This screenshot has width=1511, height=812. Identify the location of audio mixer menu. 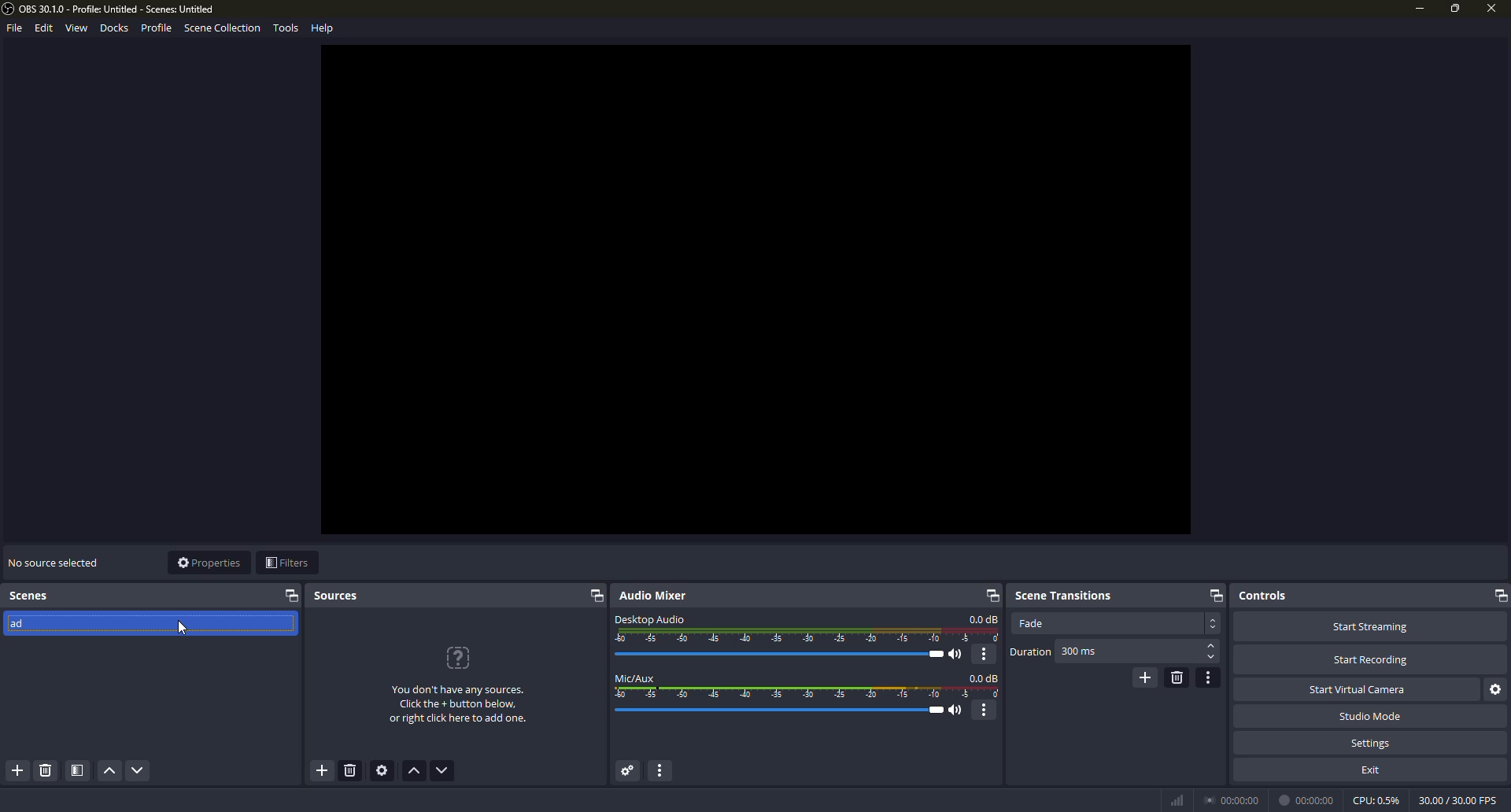
(665, 771).